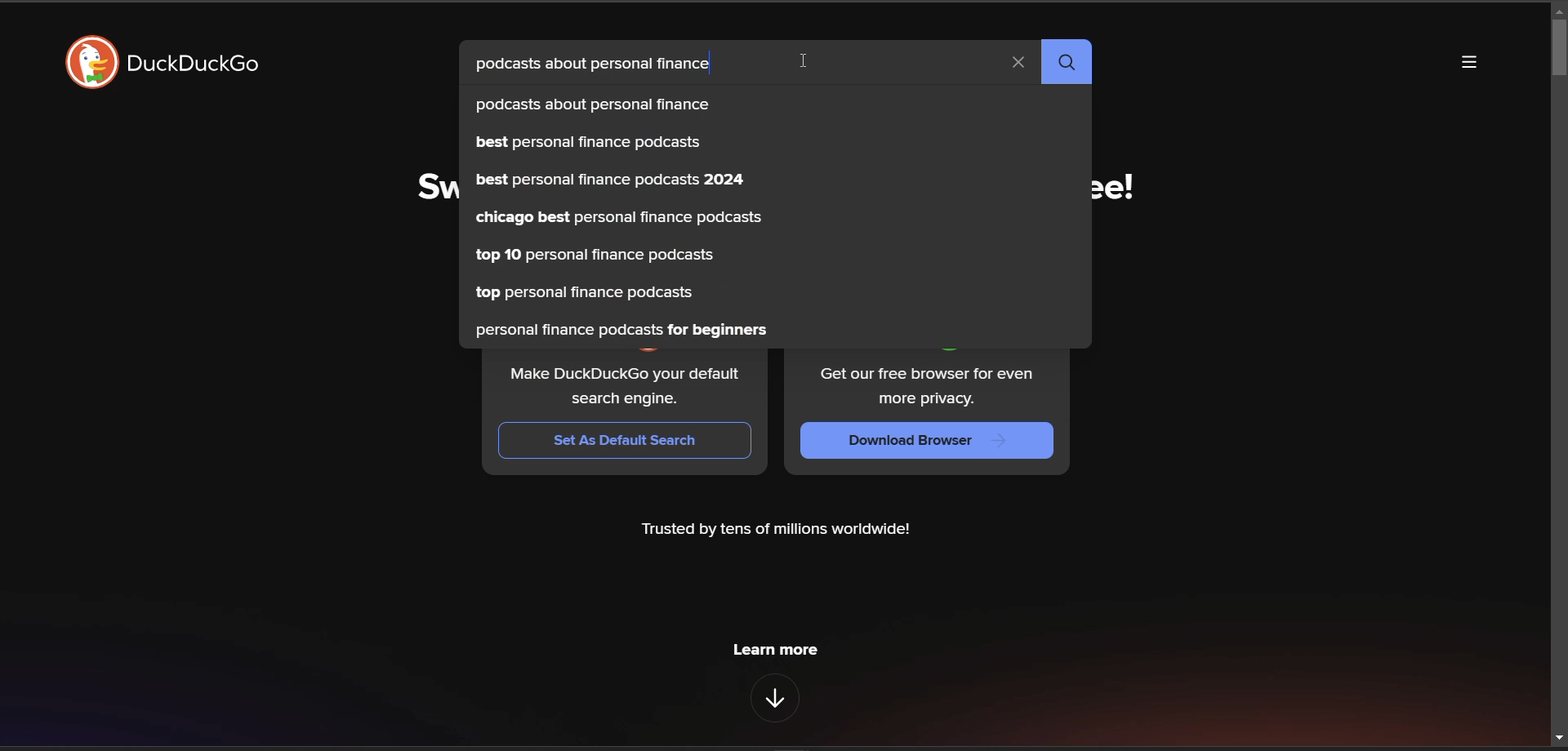 The height and width of the screenshot is (751, 1568). I want to click on podcasts about personal finance, so click(589, 105).